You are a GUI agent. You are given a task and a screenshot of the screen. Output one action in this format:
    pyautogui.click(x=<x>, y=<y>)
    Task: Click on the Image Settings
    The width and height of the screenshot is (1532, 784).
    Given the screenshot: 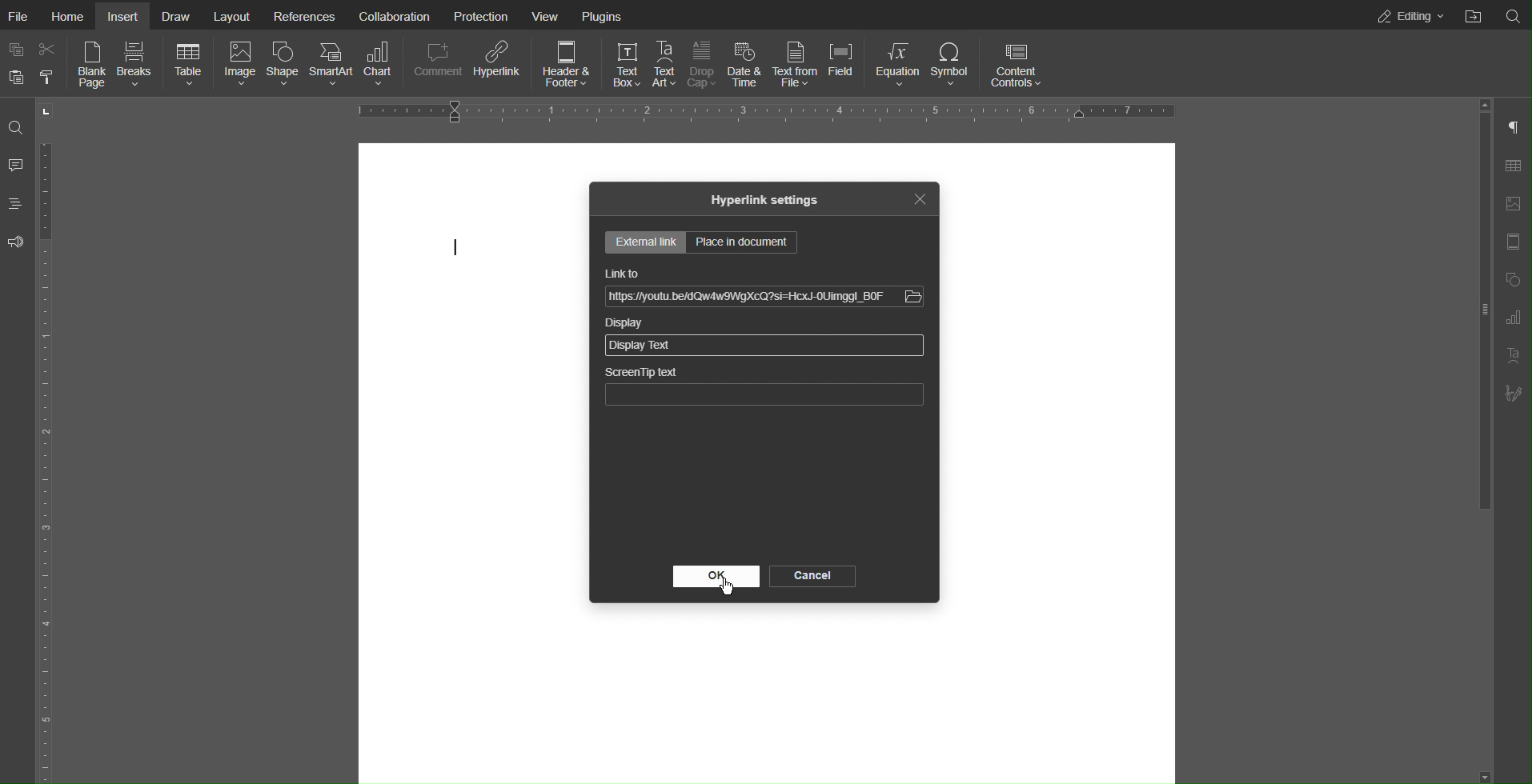 What is the action you would take?
    pyautogui.click(x=1512, y=204)
    